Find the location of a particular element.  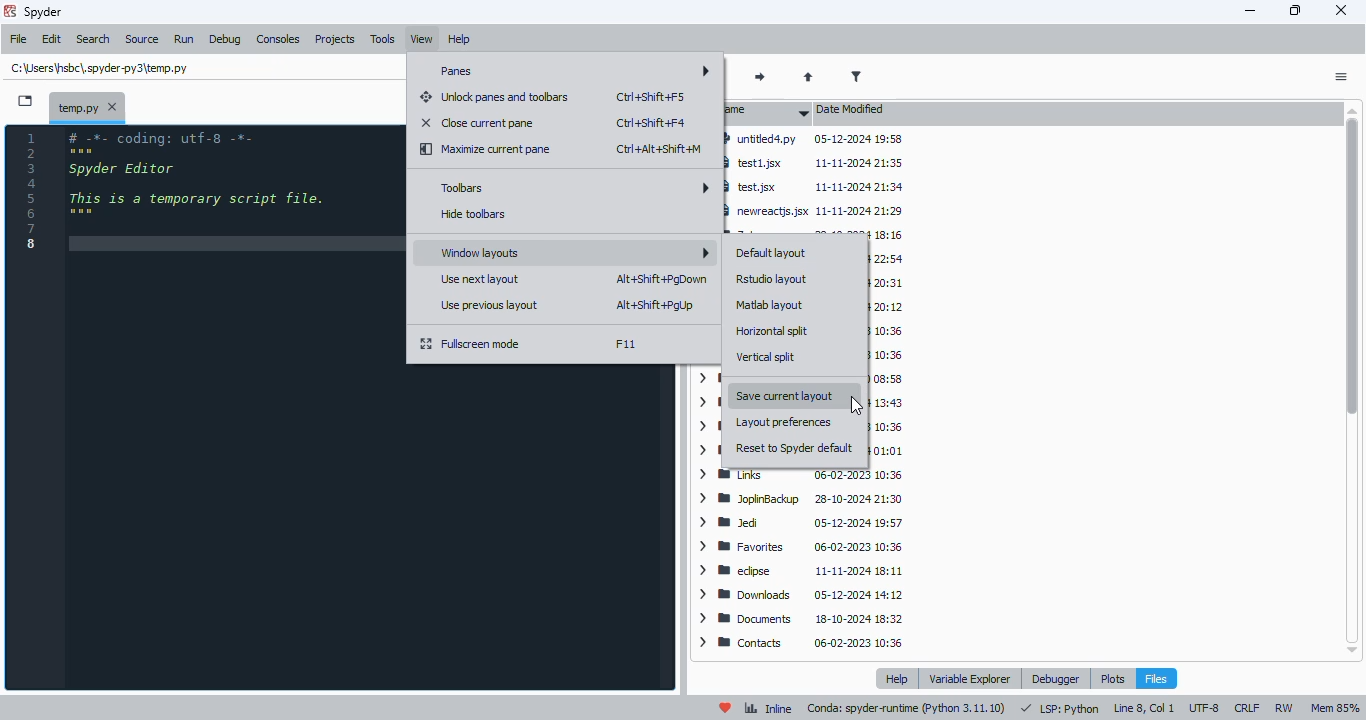

vertical split is located at coordinates (766, 356).